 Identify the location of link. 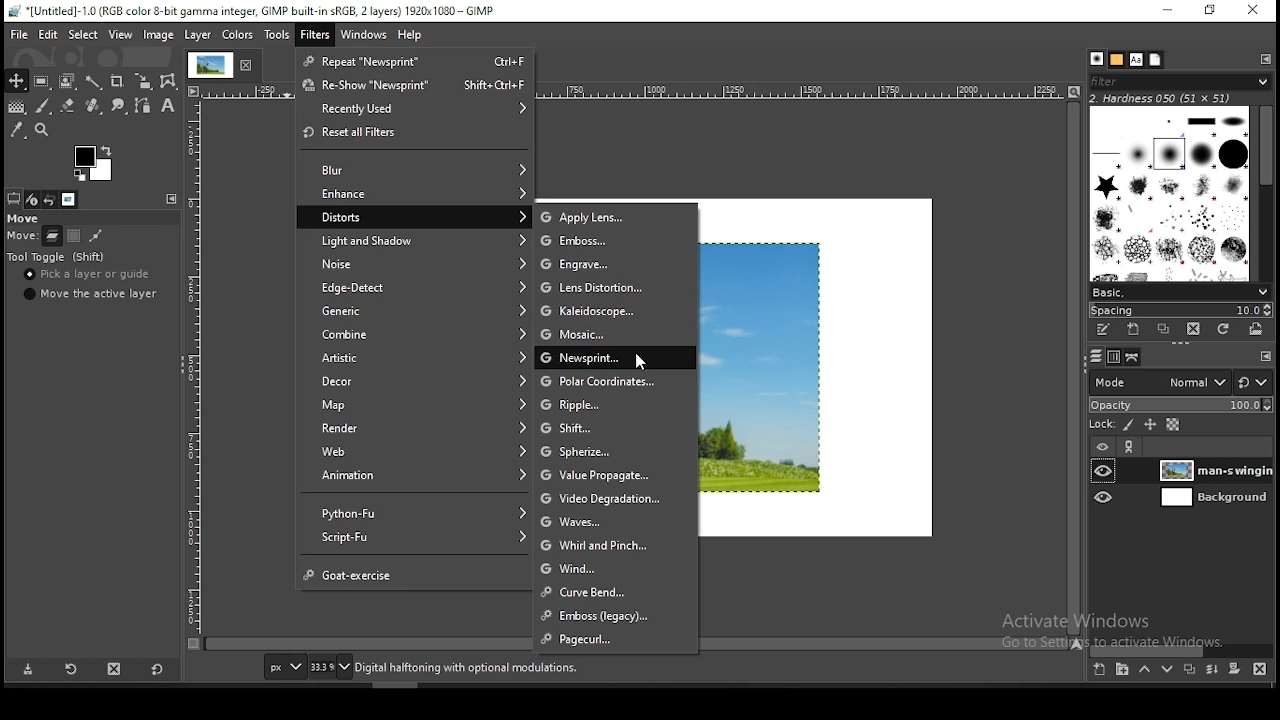
(1130, 446).